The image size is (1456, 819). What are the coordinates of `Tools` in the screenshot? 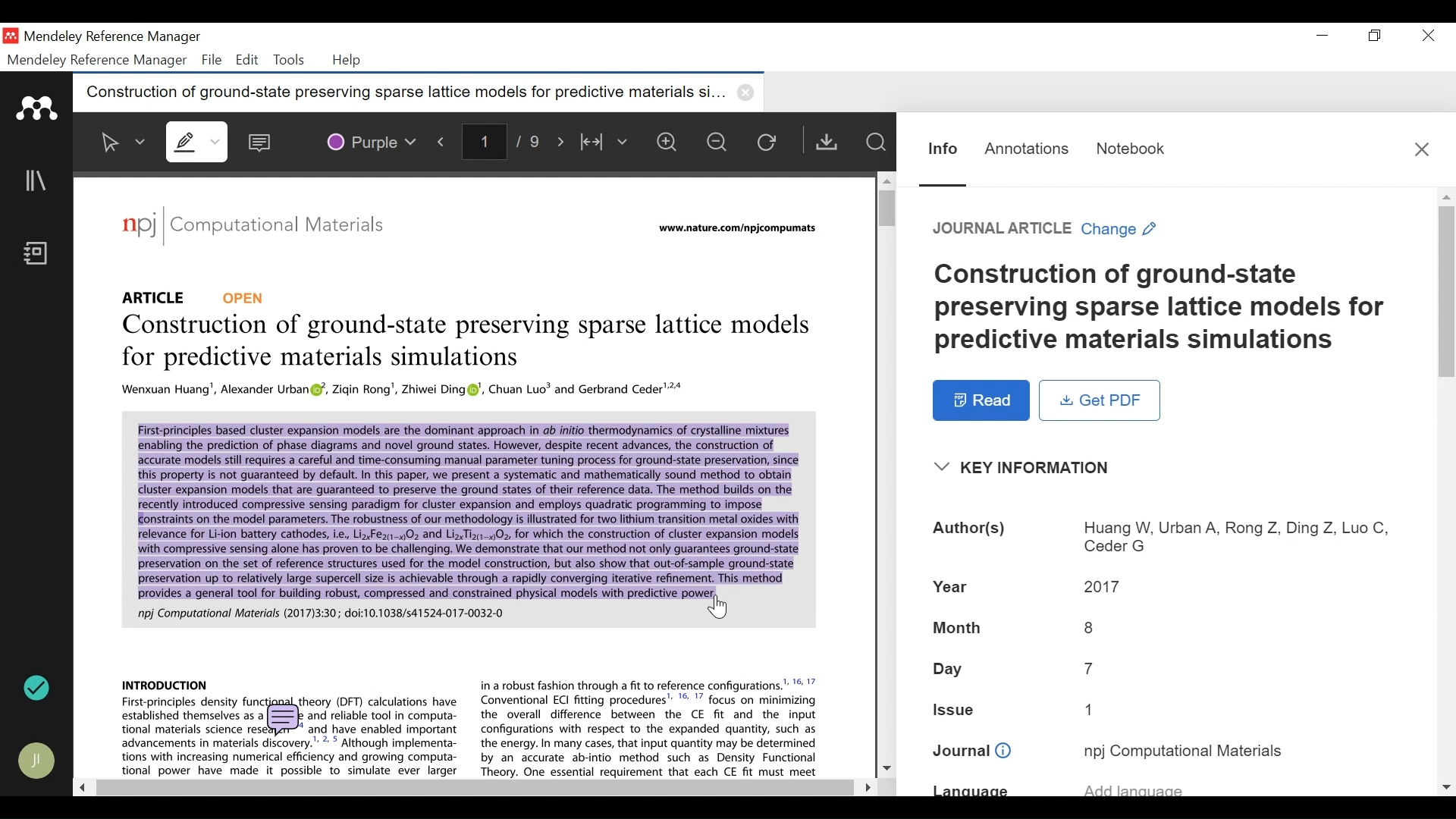 It's located at (287, 60).